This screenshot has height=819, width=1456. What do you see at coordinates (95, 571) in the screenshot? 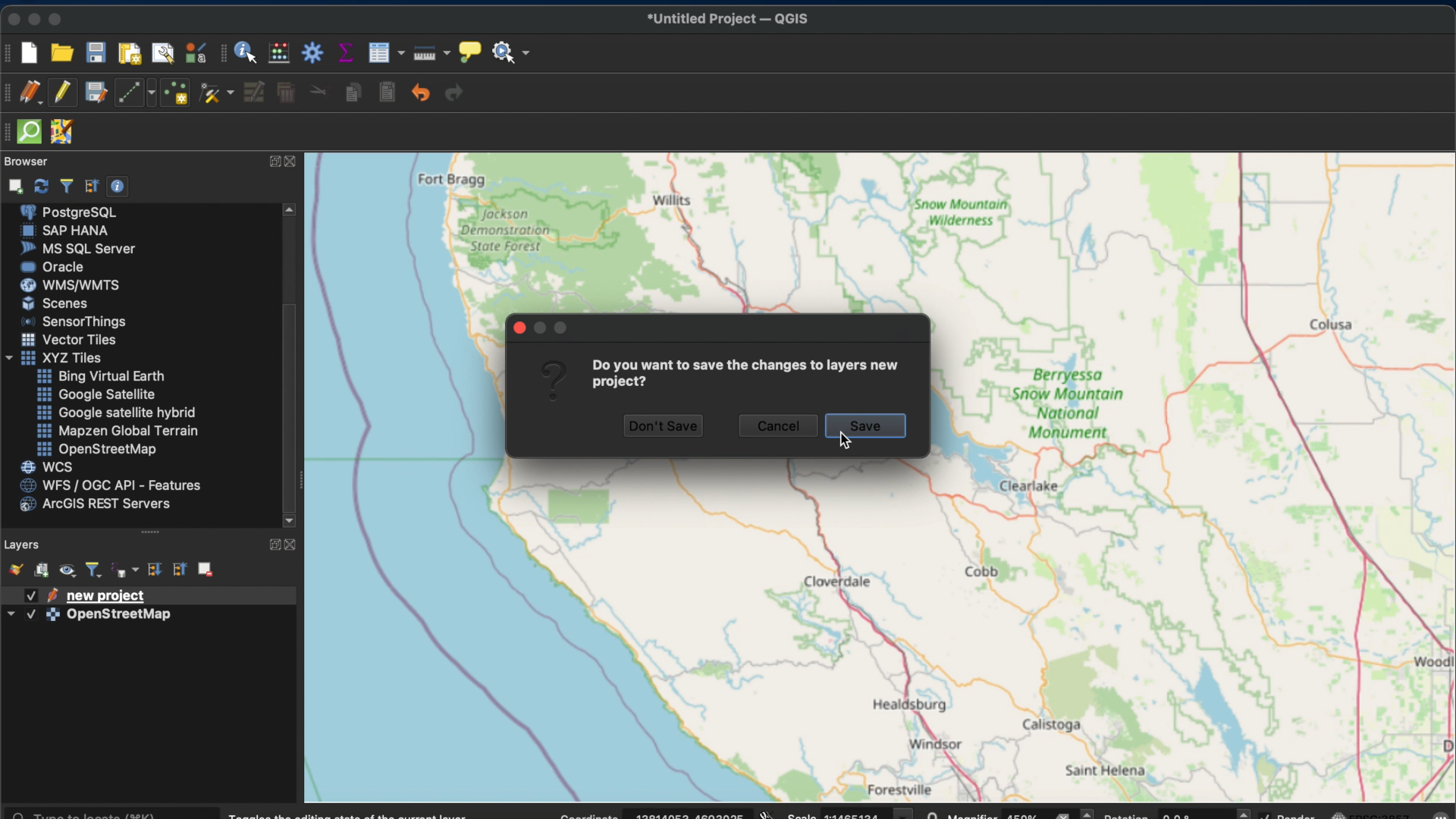
I see `filter legend` at bounding box center [95, 571].